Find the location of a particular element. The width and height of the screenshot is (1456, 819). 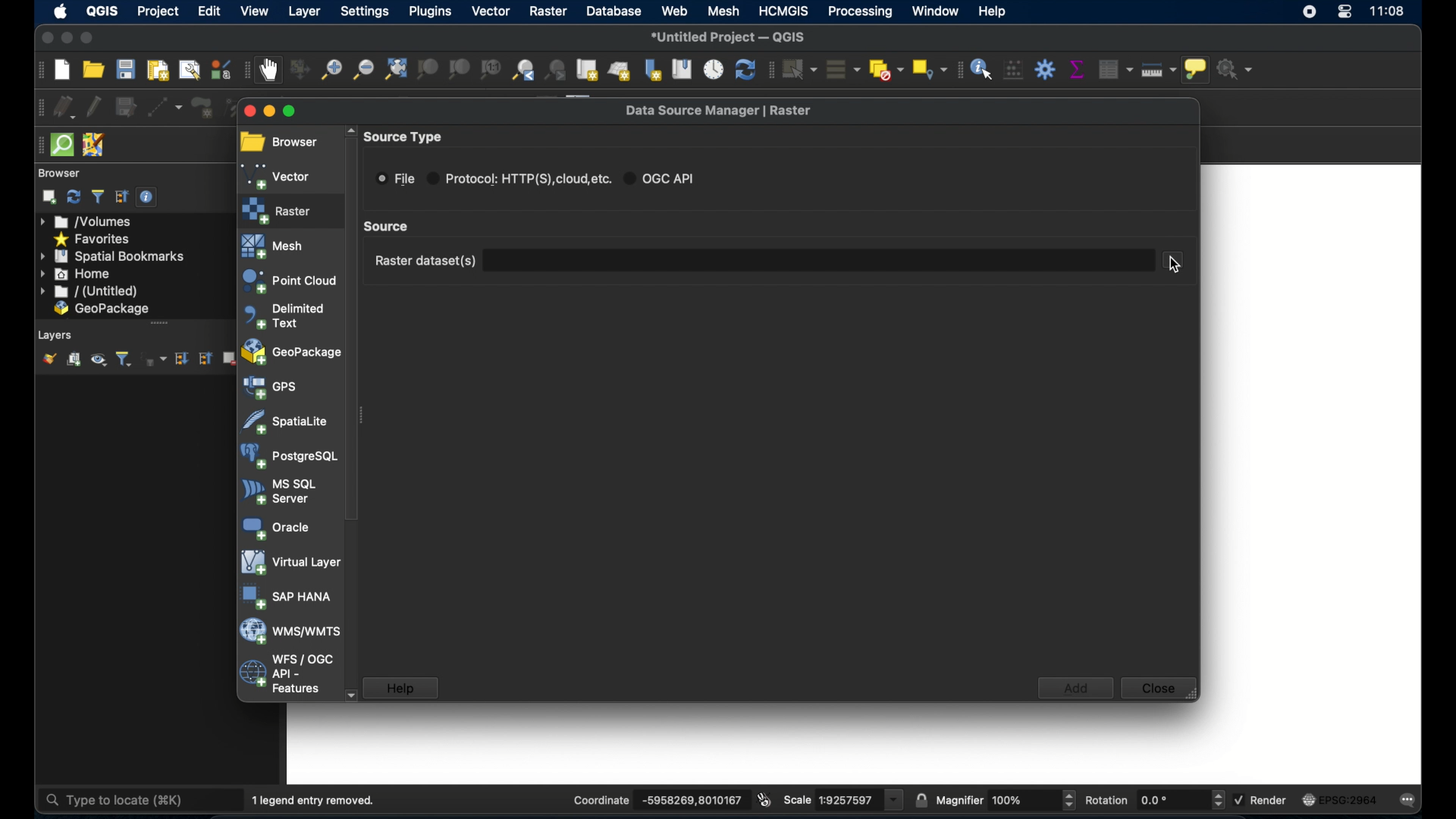

raster is located at coordinates (281, 210).